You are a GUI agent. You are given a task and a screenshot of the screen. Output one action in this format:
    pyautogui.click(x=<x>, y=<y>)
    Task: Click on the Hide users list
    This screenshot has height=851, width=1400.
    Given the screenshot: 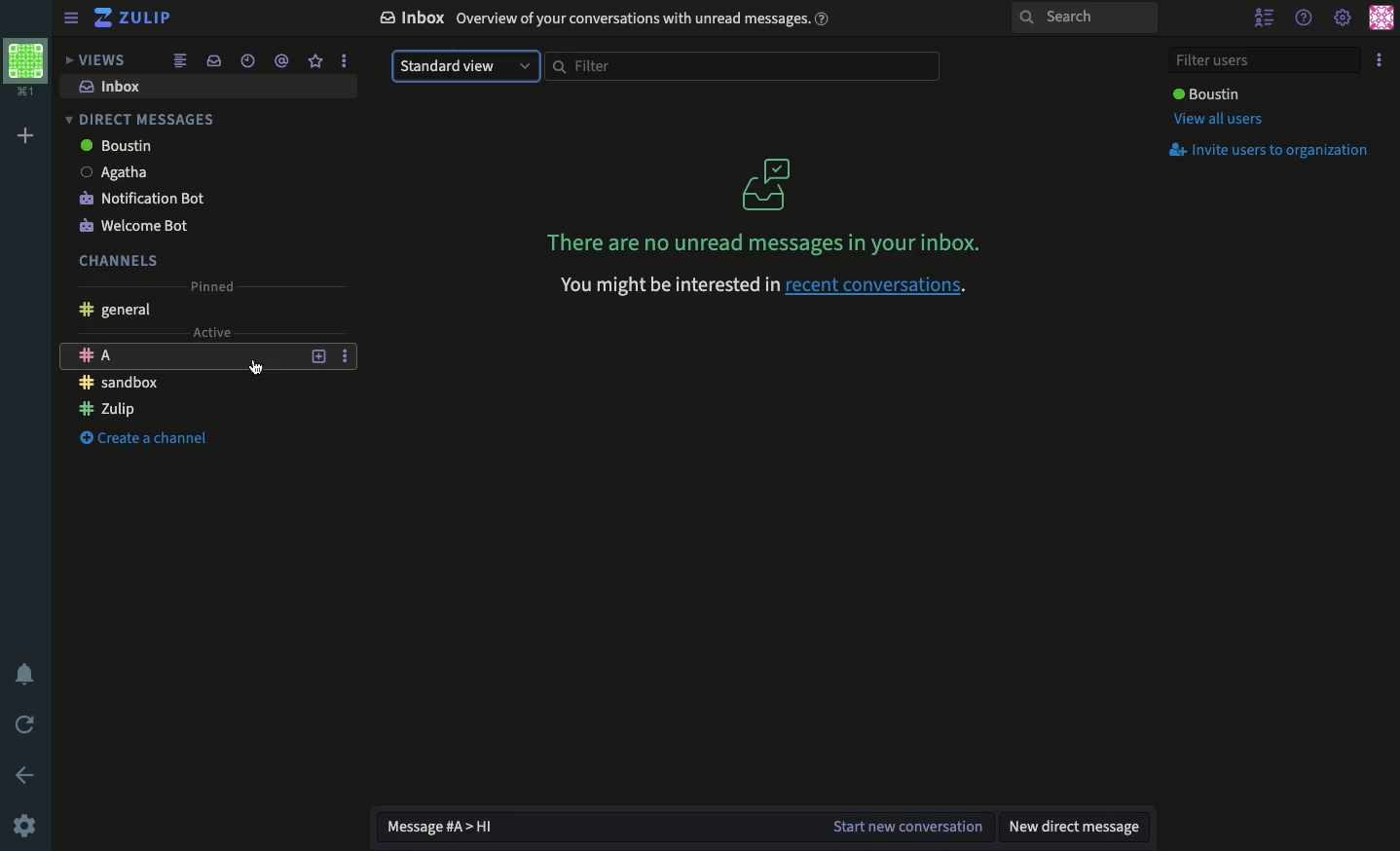 What is the action you would take?
    pyautogui.click(x=1267, y=19)
    